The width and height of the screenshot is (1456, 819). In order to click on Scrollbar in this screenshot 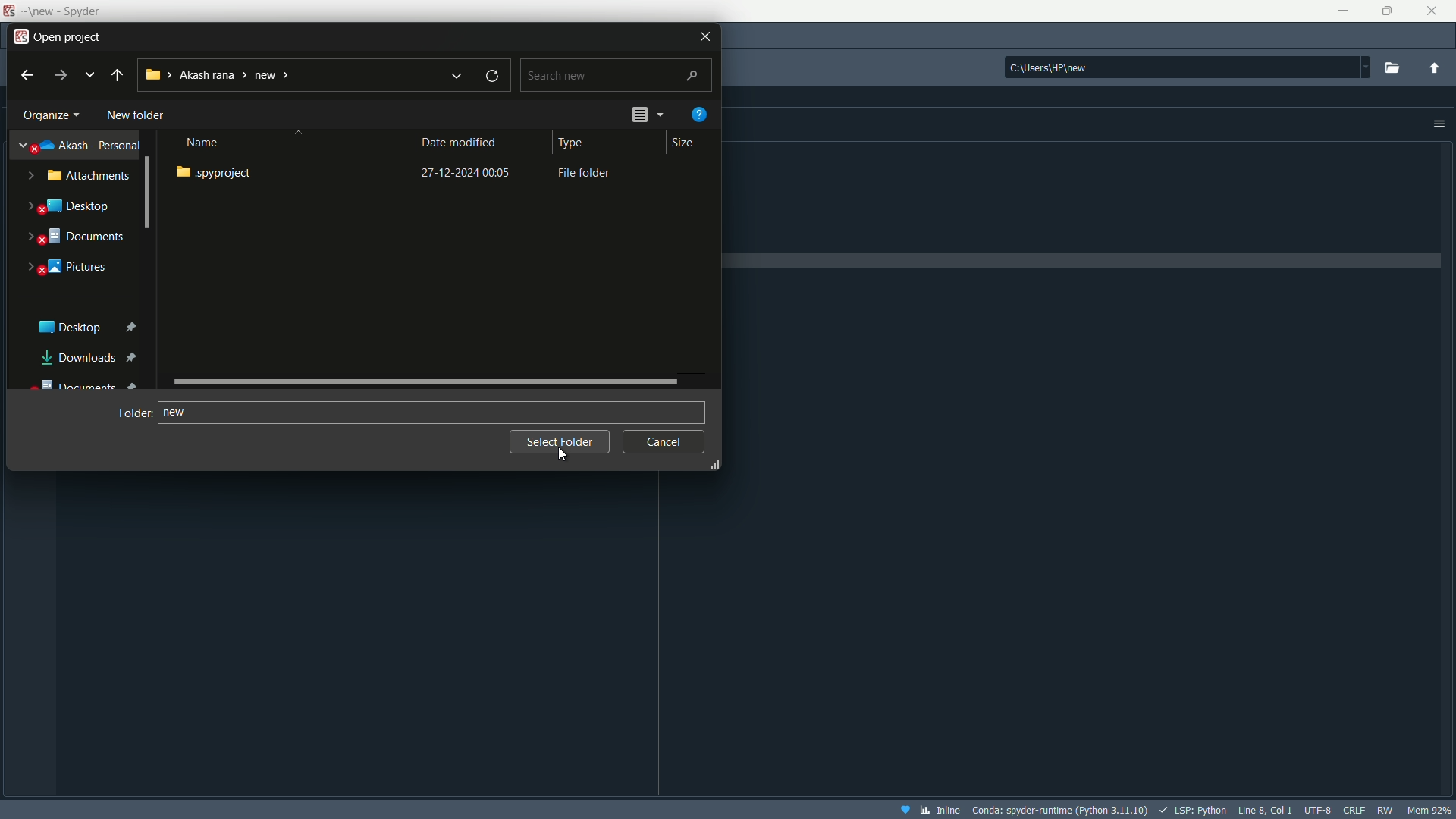, I will do `click(146, 196)`.